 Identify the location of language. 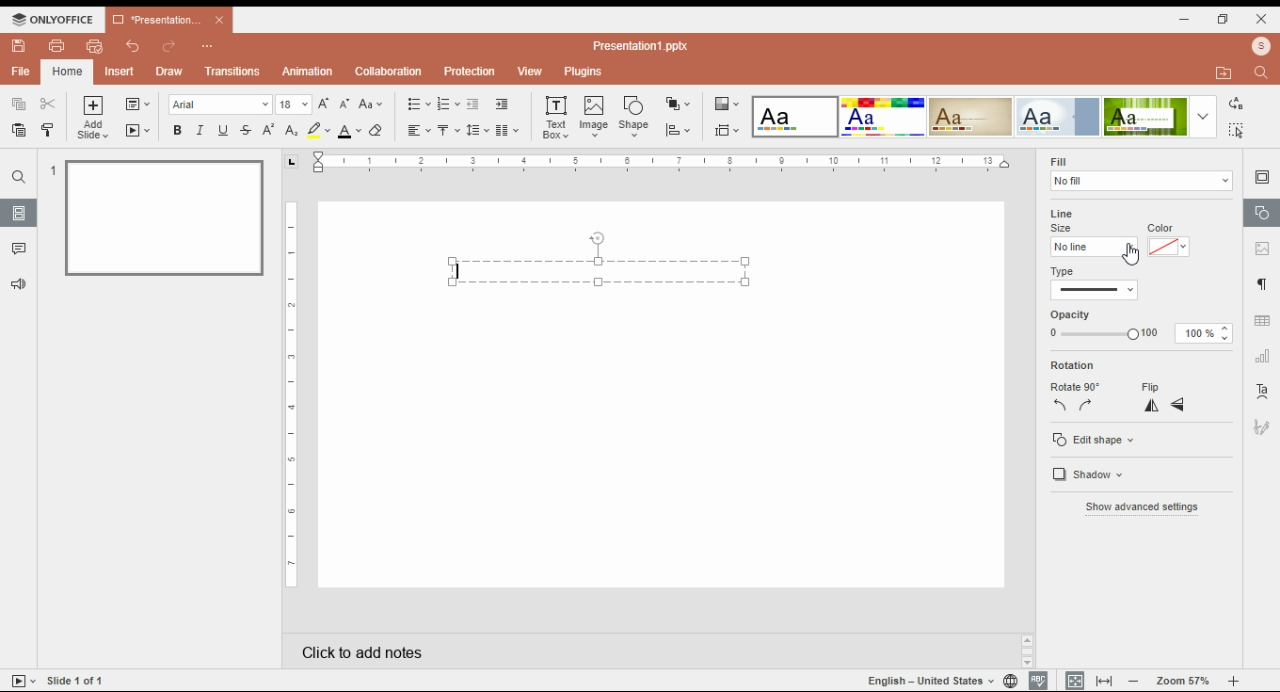
(928, 681).